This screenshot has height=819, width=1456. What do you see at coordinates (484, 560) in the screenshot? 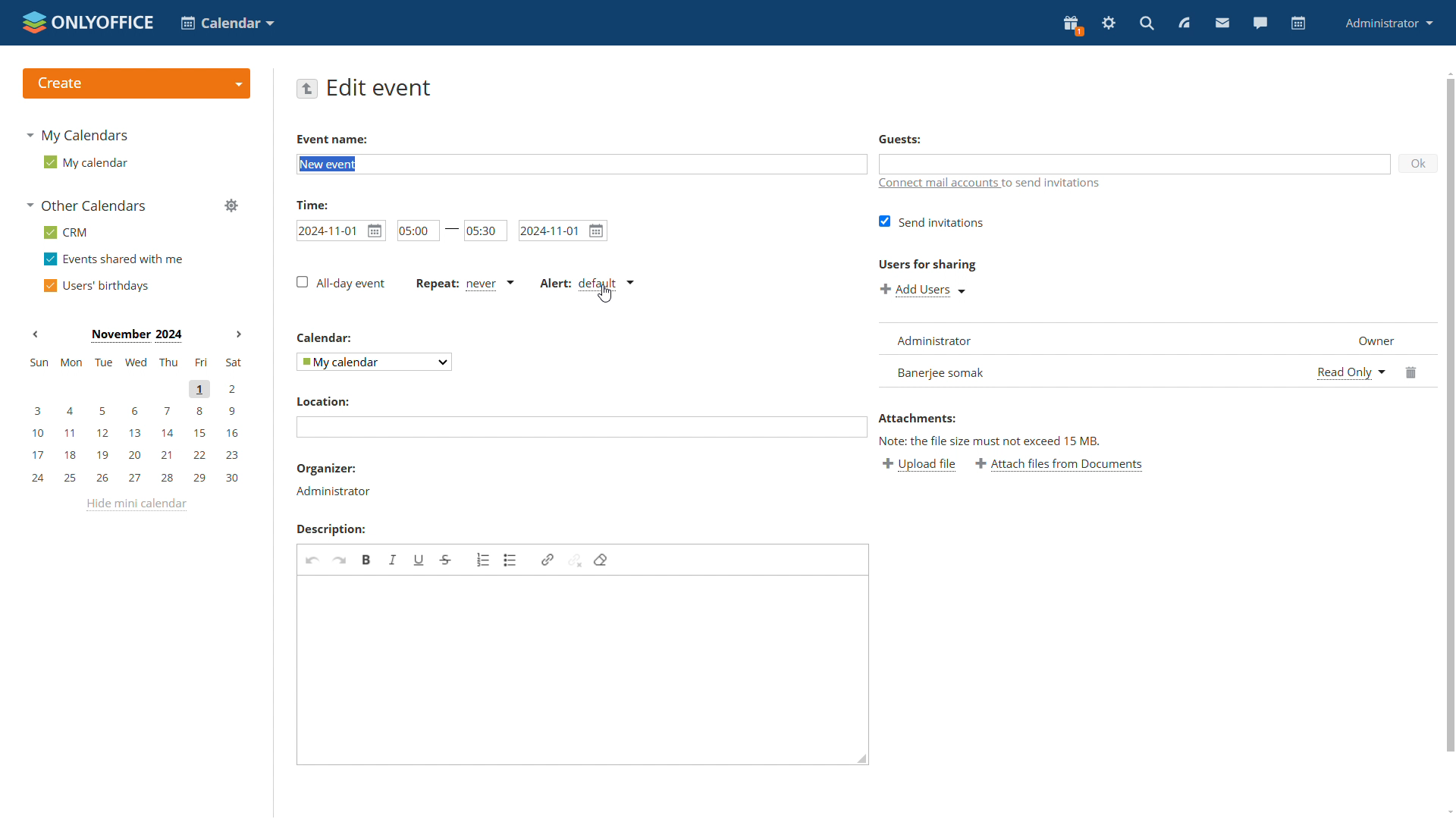
I see `insert/remove numbered list` at bounding box center [484, 560].